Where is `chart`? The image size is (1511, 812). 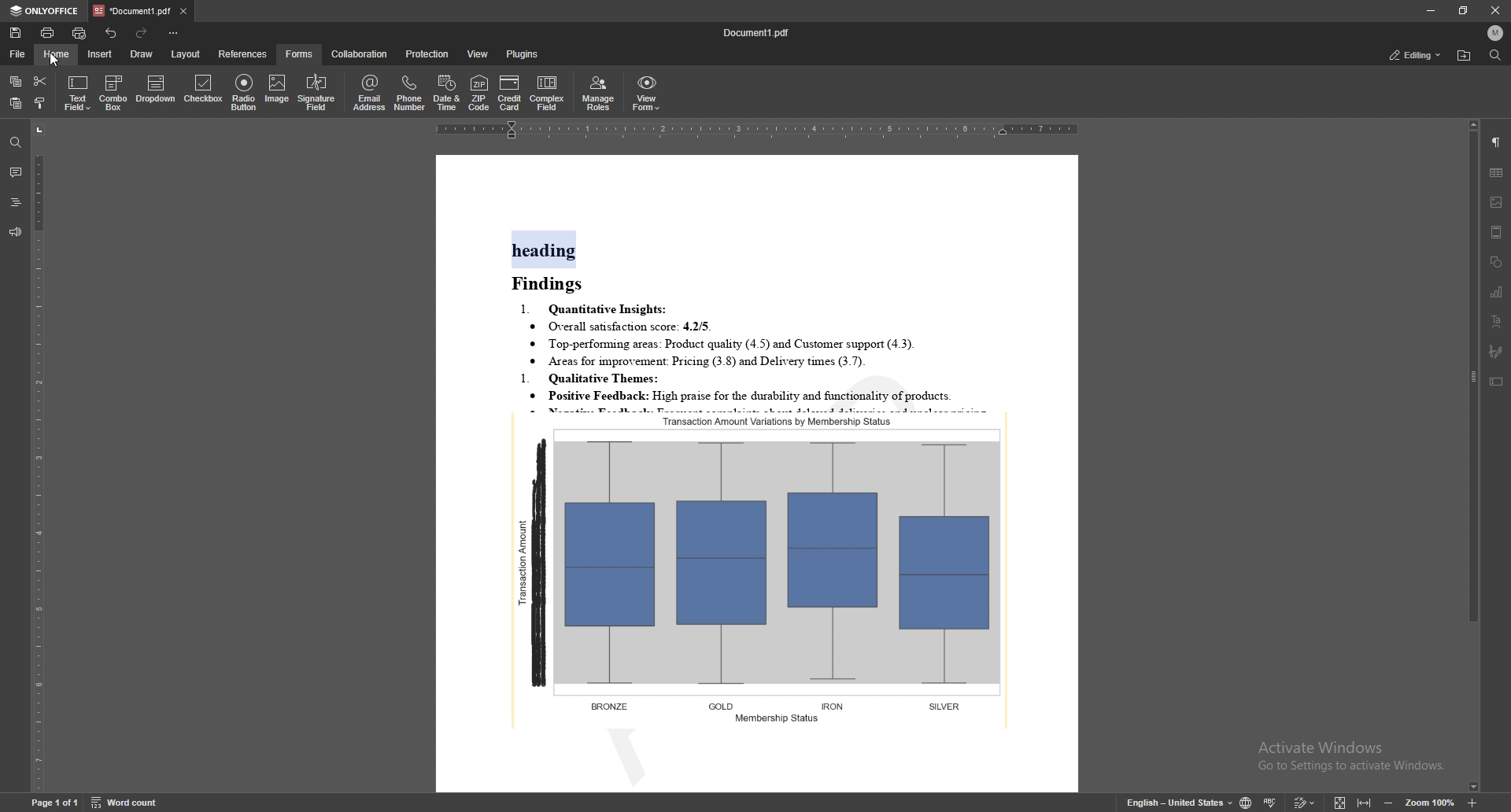
chart is located at coordinates (1497, 292).